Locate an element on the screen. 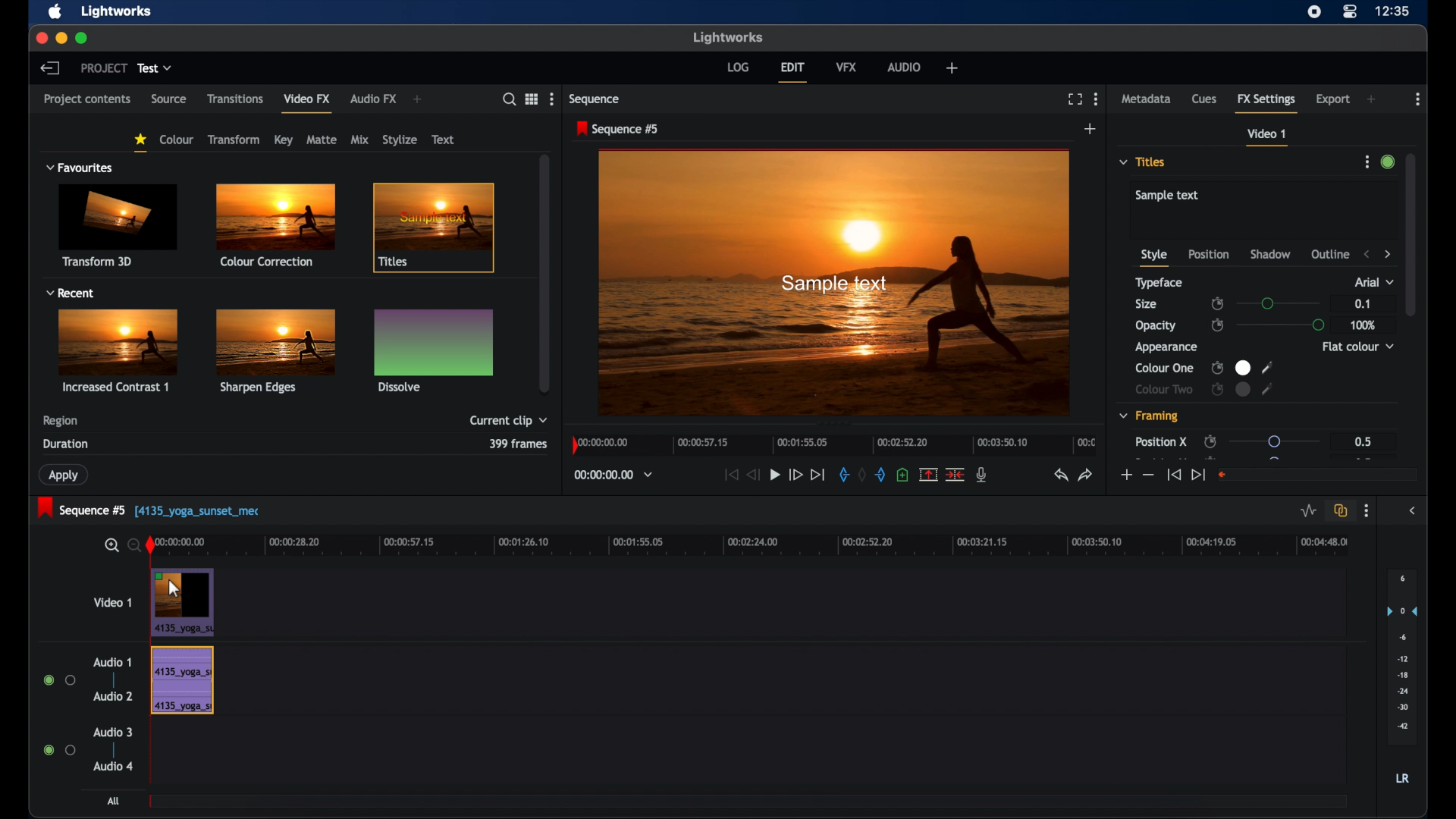 The height and width of the screenshot is (819, 1456). add cue at current position is located at coordinates (904, 475).